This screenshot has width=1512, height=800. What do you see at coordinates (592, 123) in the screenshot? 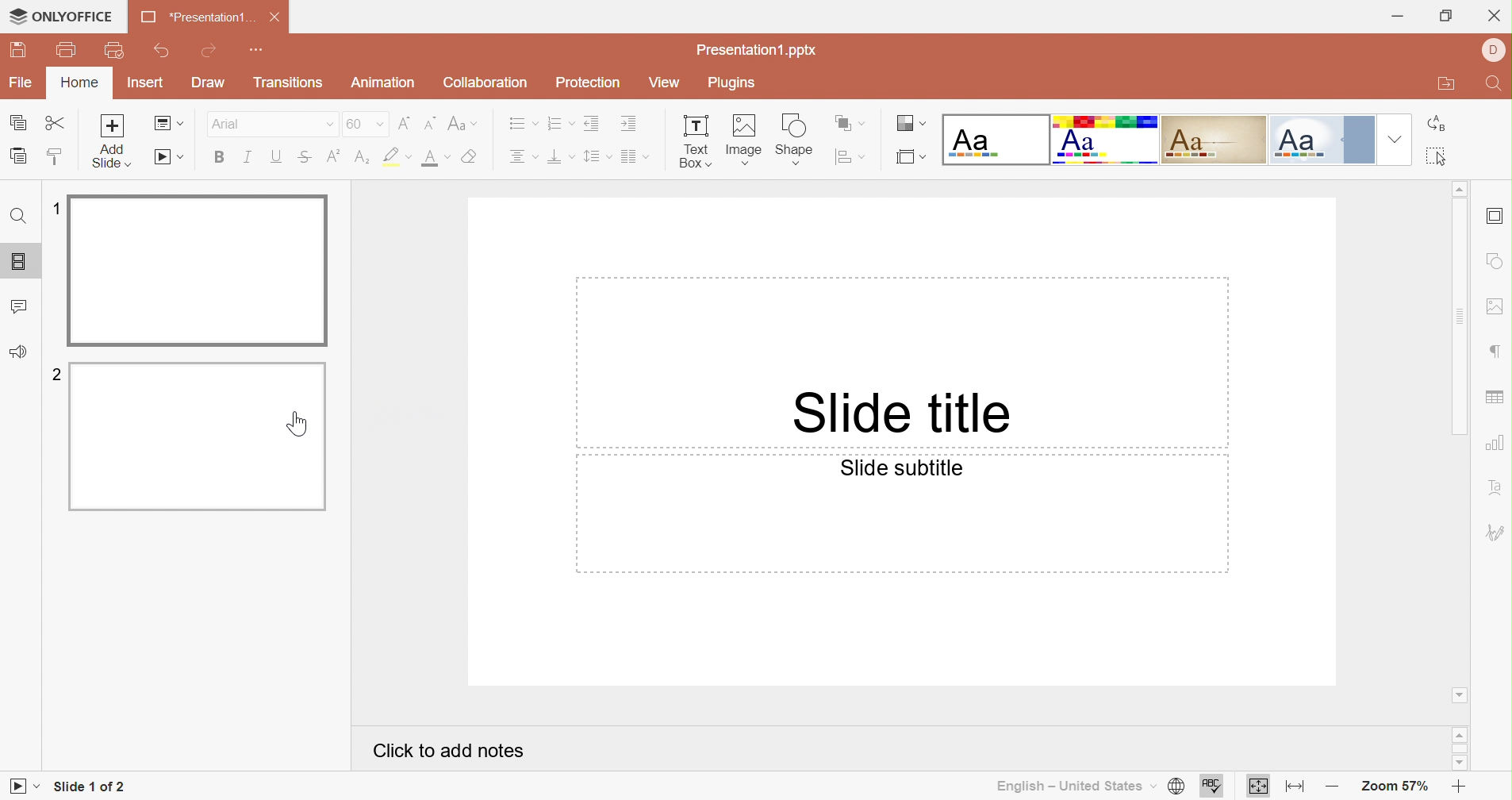
I see `Decrease Indent` at bounding box center [592, 123].